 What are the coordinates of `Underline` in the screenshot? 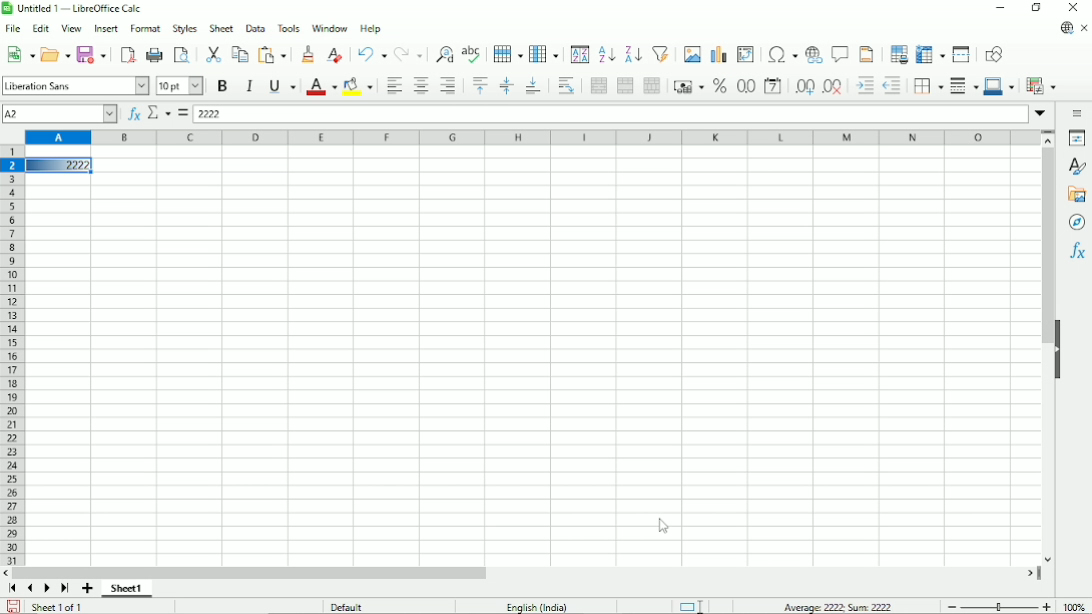 It's located at (282, 87).